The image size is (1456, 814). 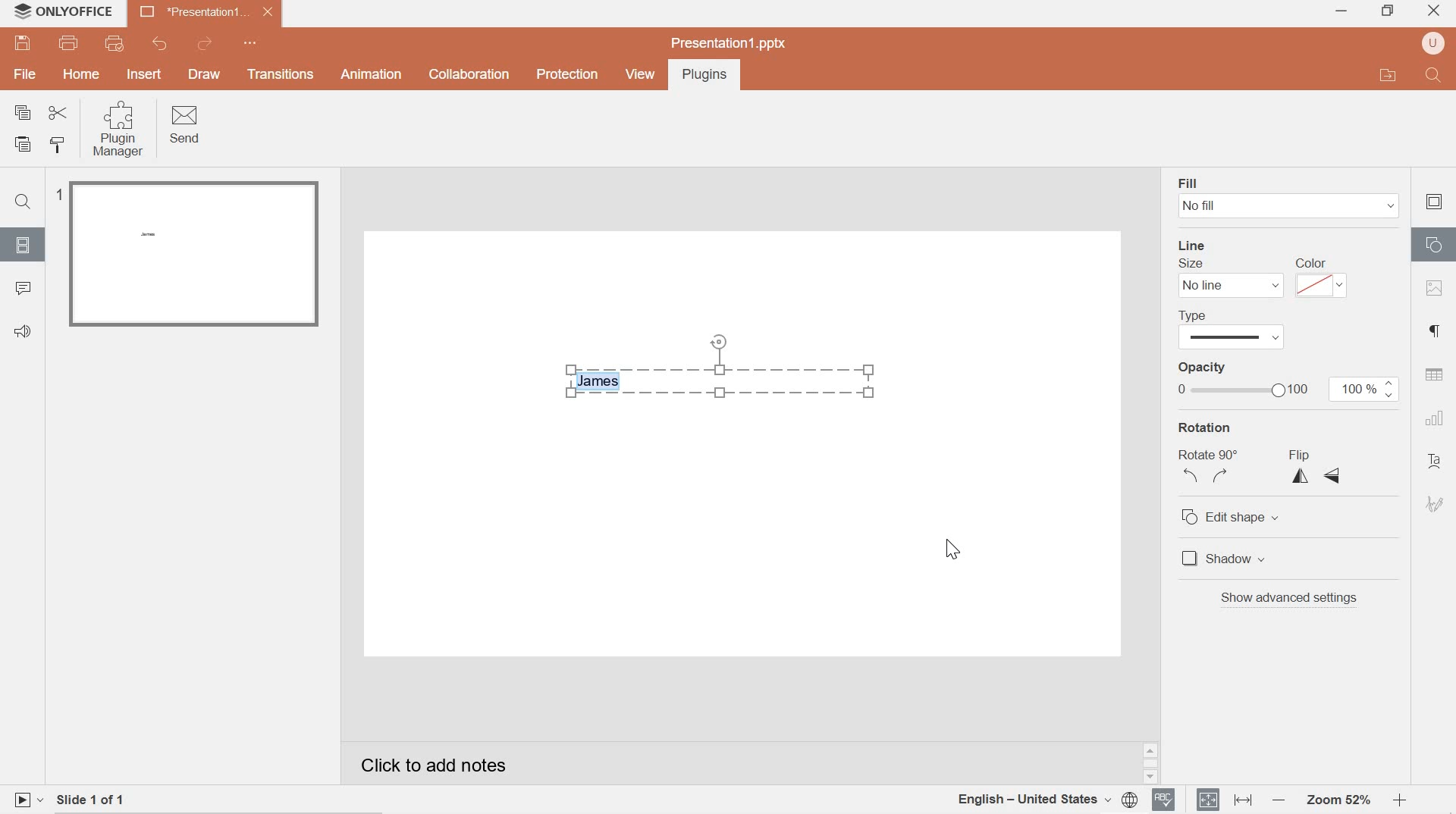 I want to click on quick print, so click(x=120, y=44).